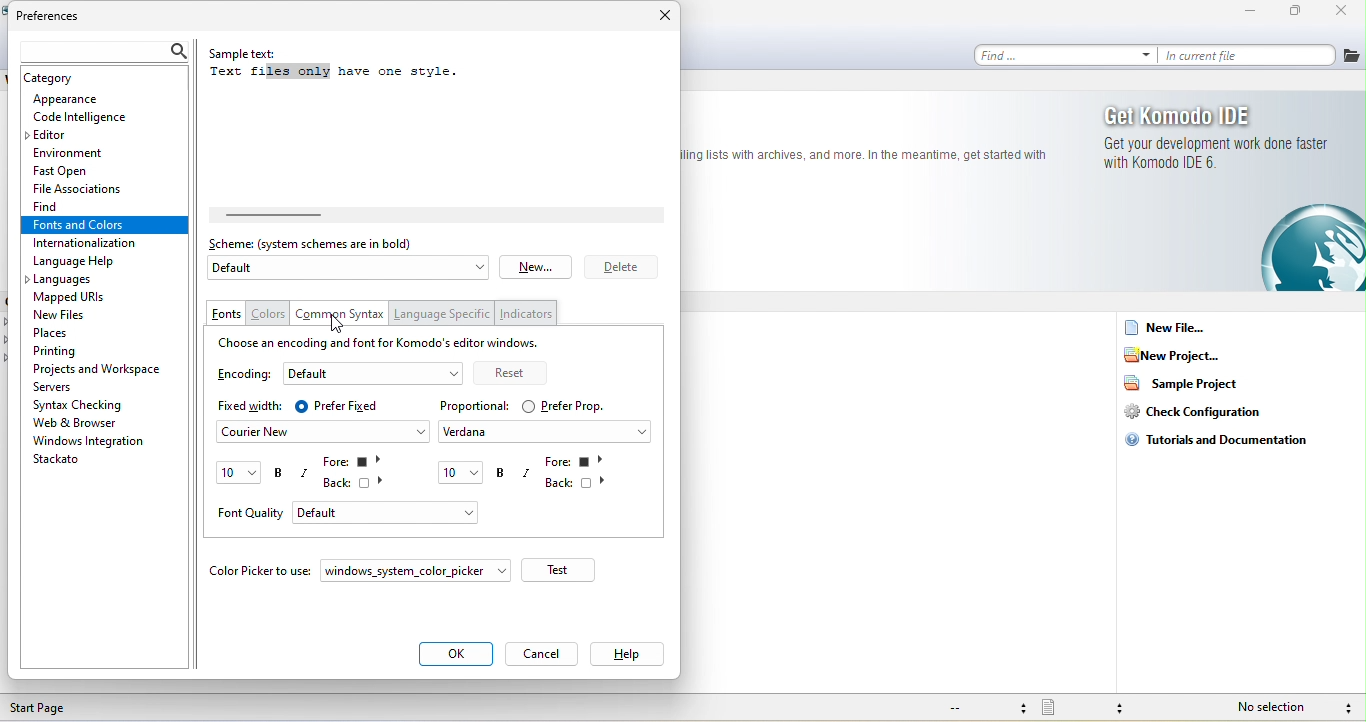 This screenshot has height=722, width=1366. What do you see at coordinates (78, 280) in the screenshot?
I see `languages` at bounding box center [78, 280].